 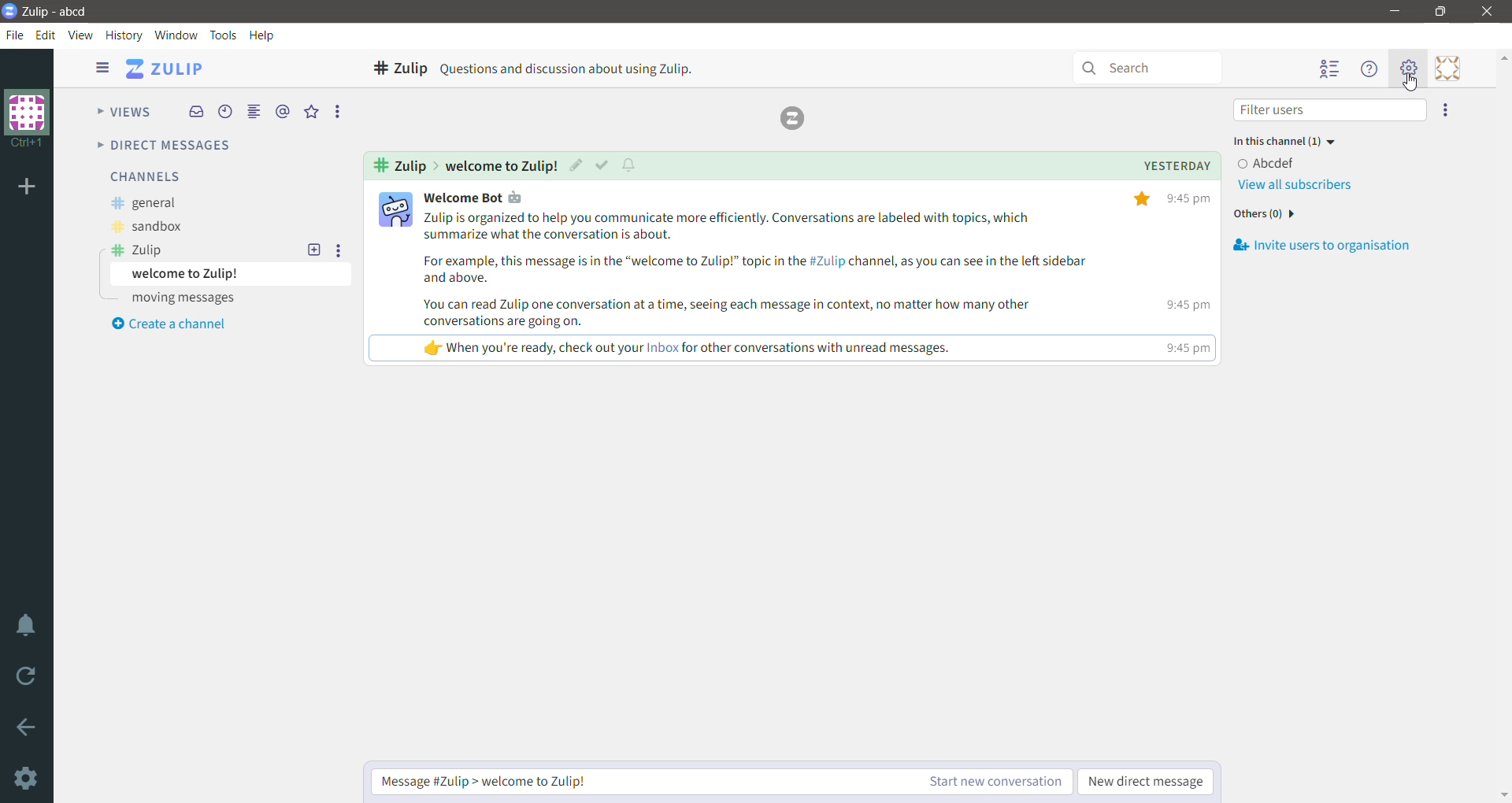 I want to click on File, so click(x=18, y=35).